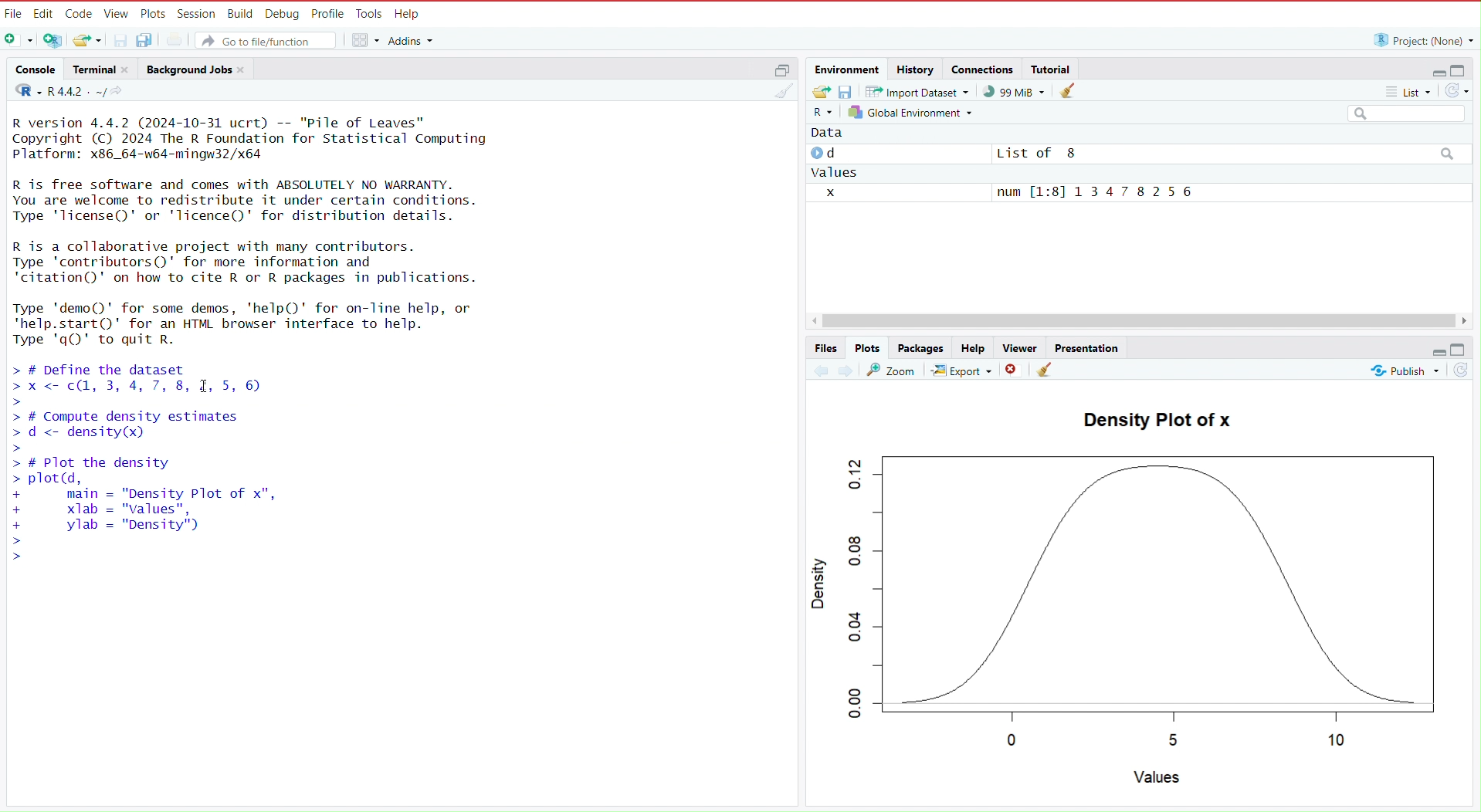 This screenshot has height=812, width=1481. Describe the element at coordinates (253, 199) in the screenshot. I see `R is free software and comes with ABSOLUTELY NO WARRANTY.
You are welcome to redistribute it under certain conditions.
Type 'license()' or 'Ticence()' for distribution details.` at that location.